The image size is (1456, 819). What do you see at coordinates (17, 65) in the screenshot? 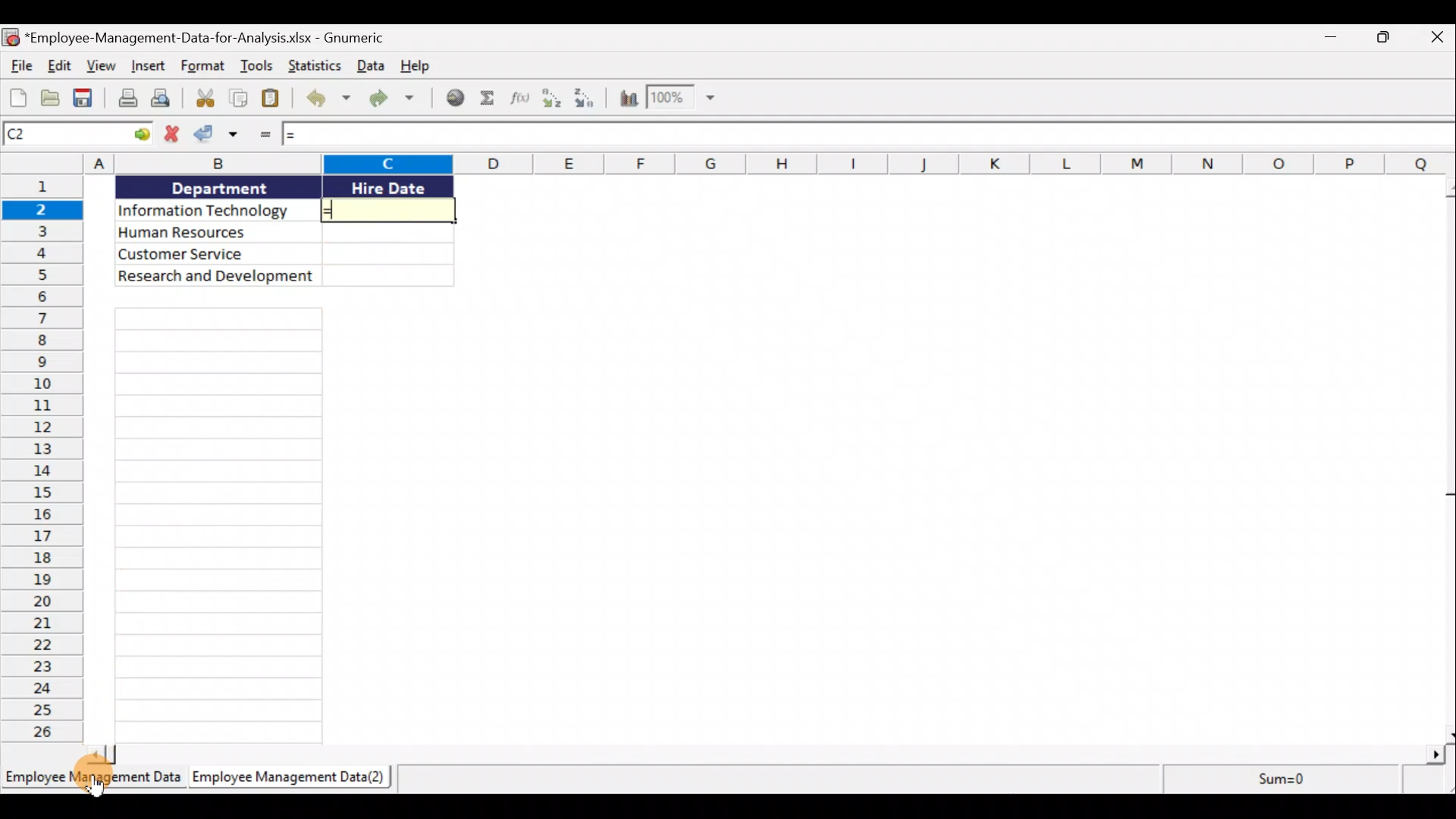
I see `File` at bounding box center [17, 65].